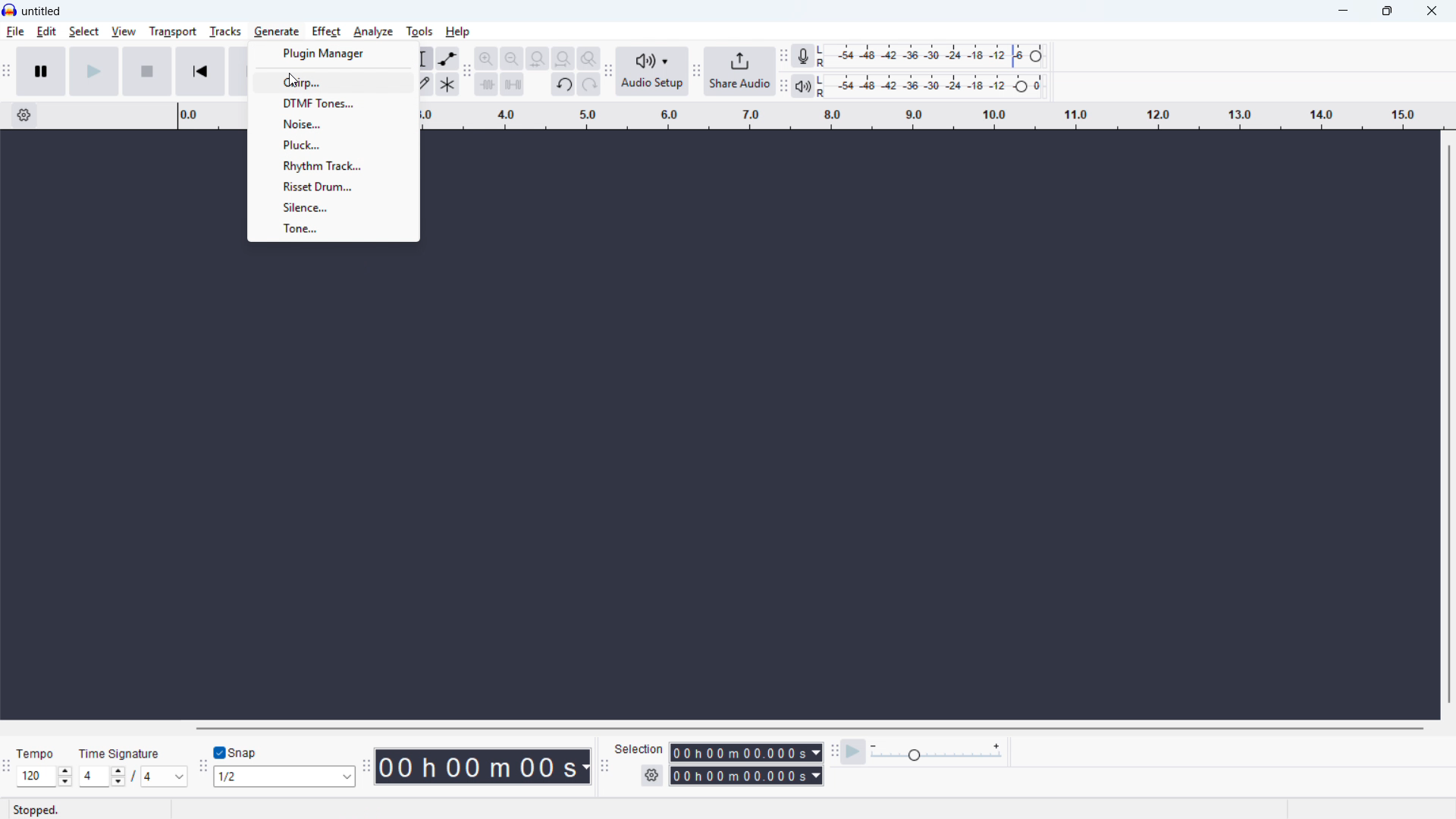 This screenshot has height=819, width=1456. What do you see at coordinates (325, 31) in the screenshot?
I see `Effect ` at bounding box center [325, 31].